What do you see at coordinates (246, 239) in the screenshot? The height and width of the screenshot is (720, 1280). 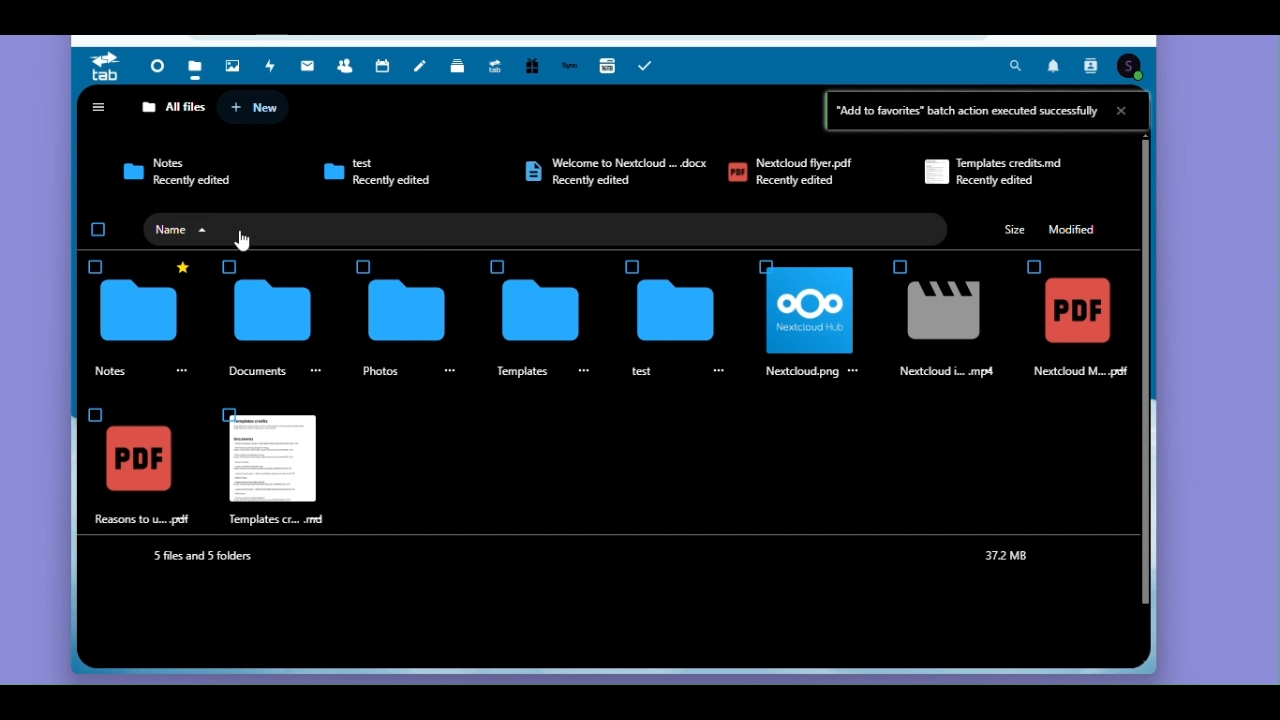 I see `Mouse cursor` at bounding box center [246, 239].